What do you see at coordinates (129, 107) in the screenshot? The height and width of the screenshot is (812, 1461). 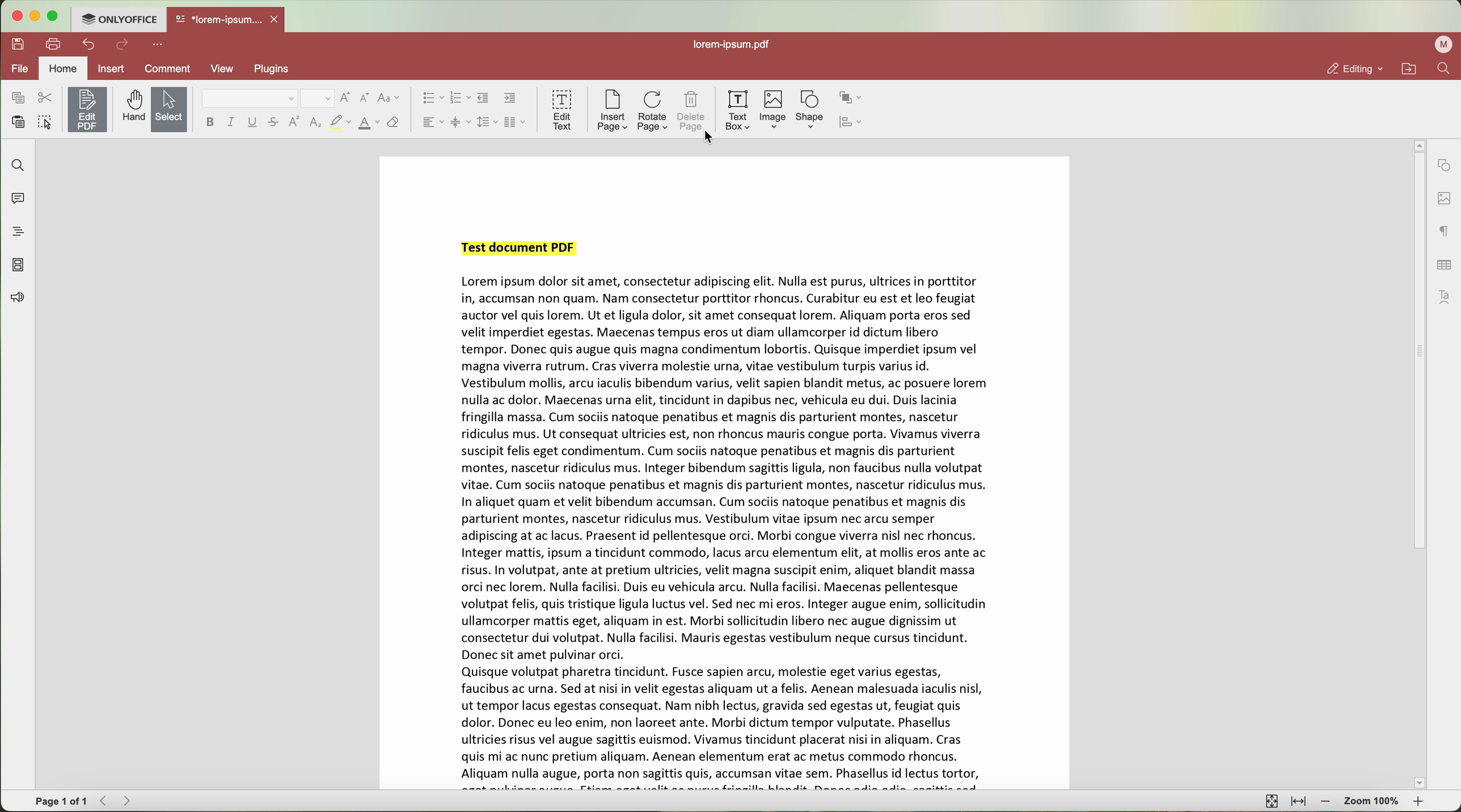 I see `hand` at bounding box center [129, 107].